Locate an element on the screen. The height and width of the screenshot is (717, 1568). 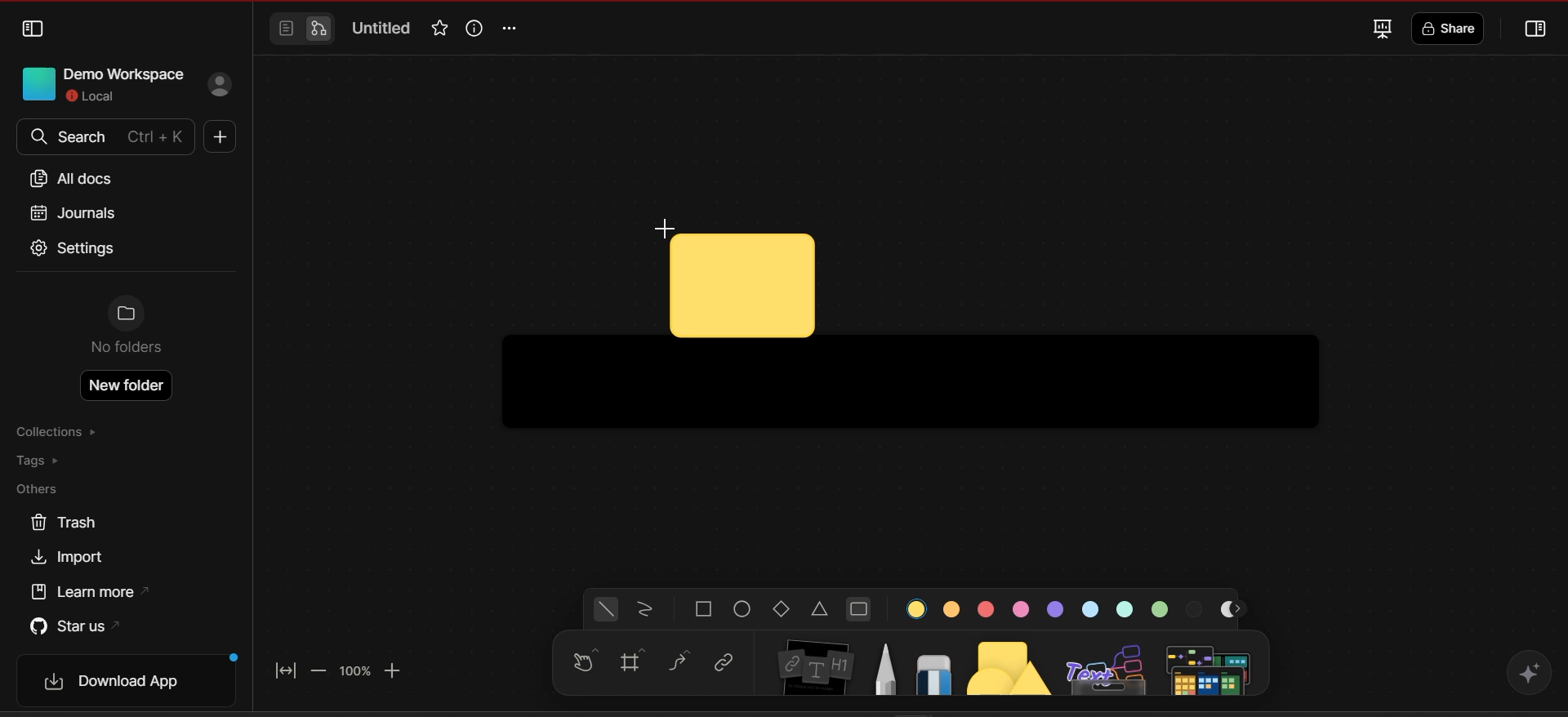
shapes is located at coordinates (1011, 664).